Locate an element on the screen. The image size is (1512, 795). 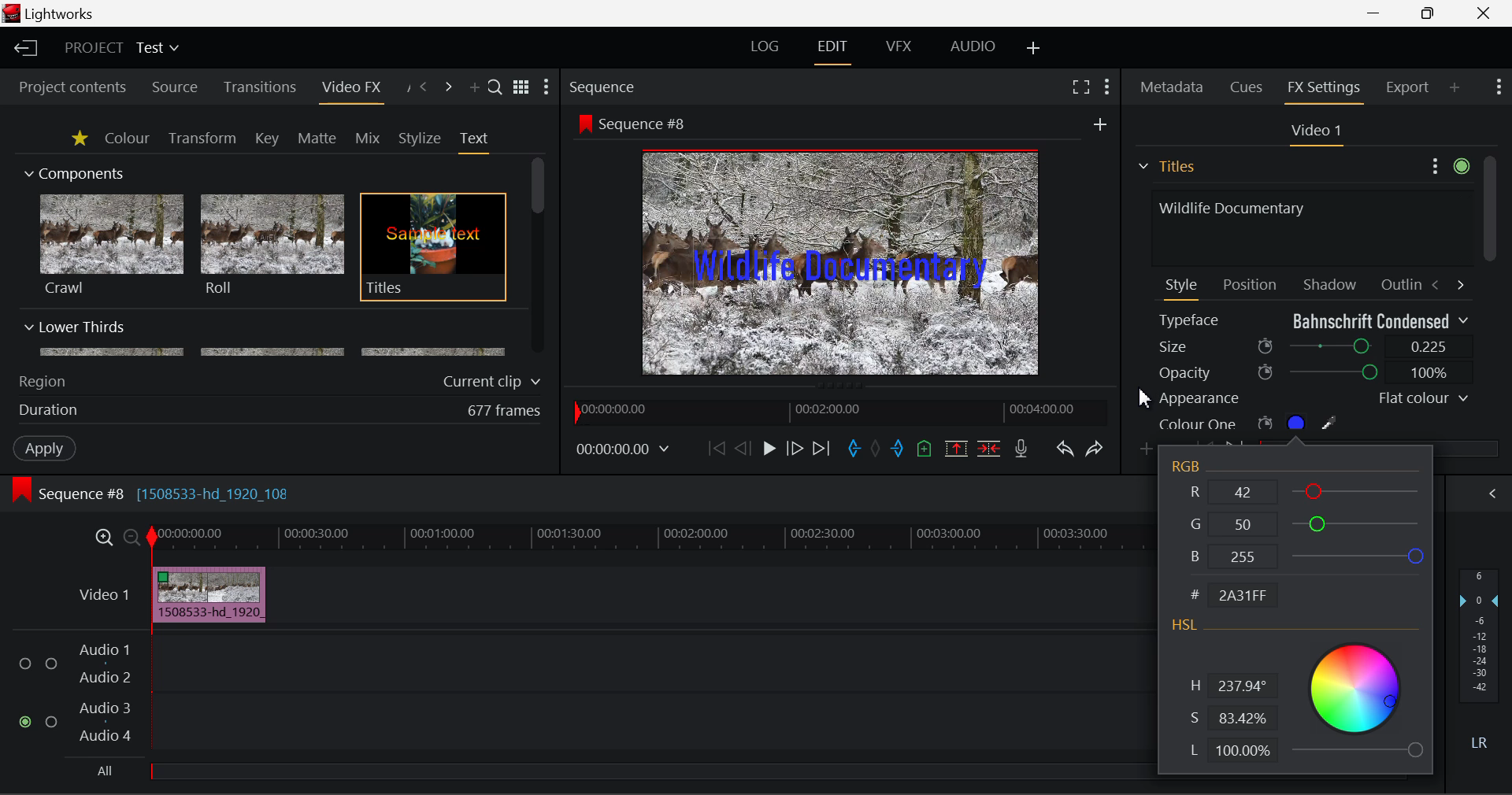
Lower Thirds is located at coordinates (266, 338).